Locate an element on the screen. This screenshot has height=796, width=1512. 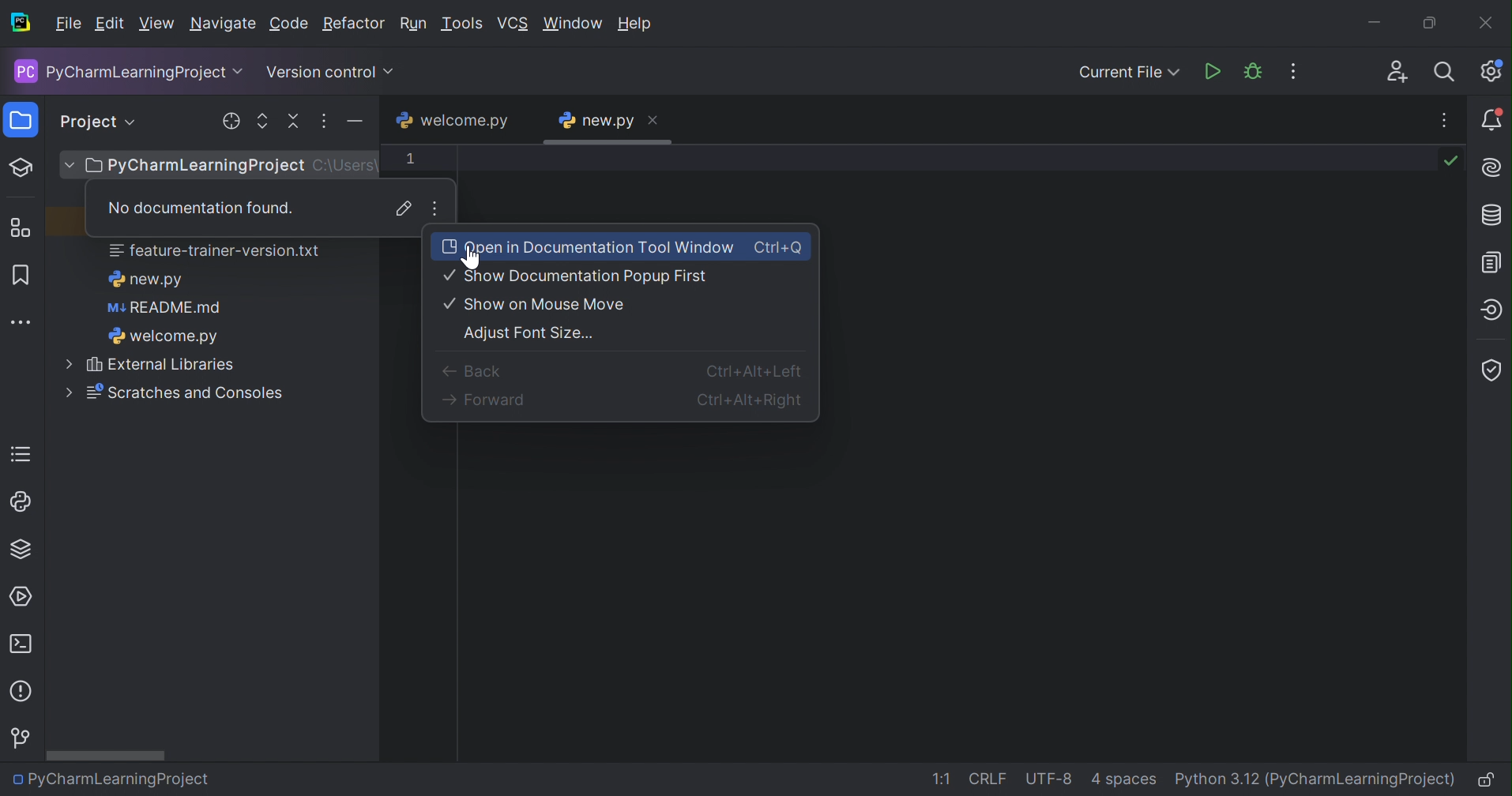
Python 3.12 (PyCharmLearningProject) is located at coordinates (1319, 779).